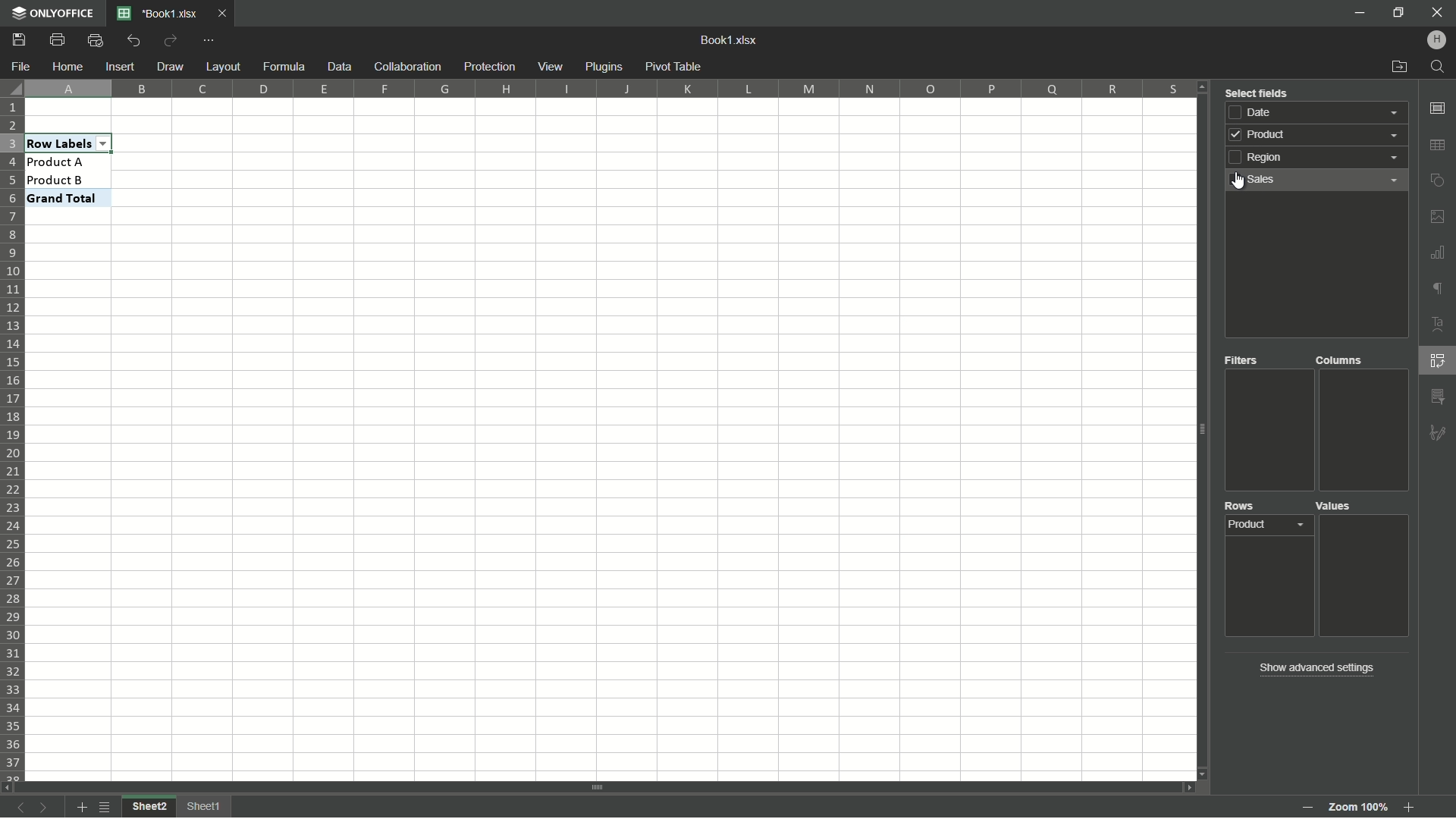 The image size is (1456, 819). Describe the element at coordinates (488, 67) in the screenshot. I see `protection` at that location.